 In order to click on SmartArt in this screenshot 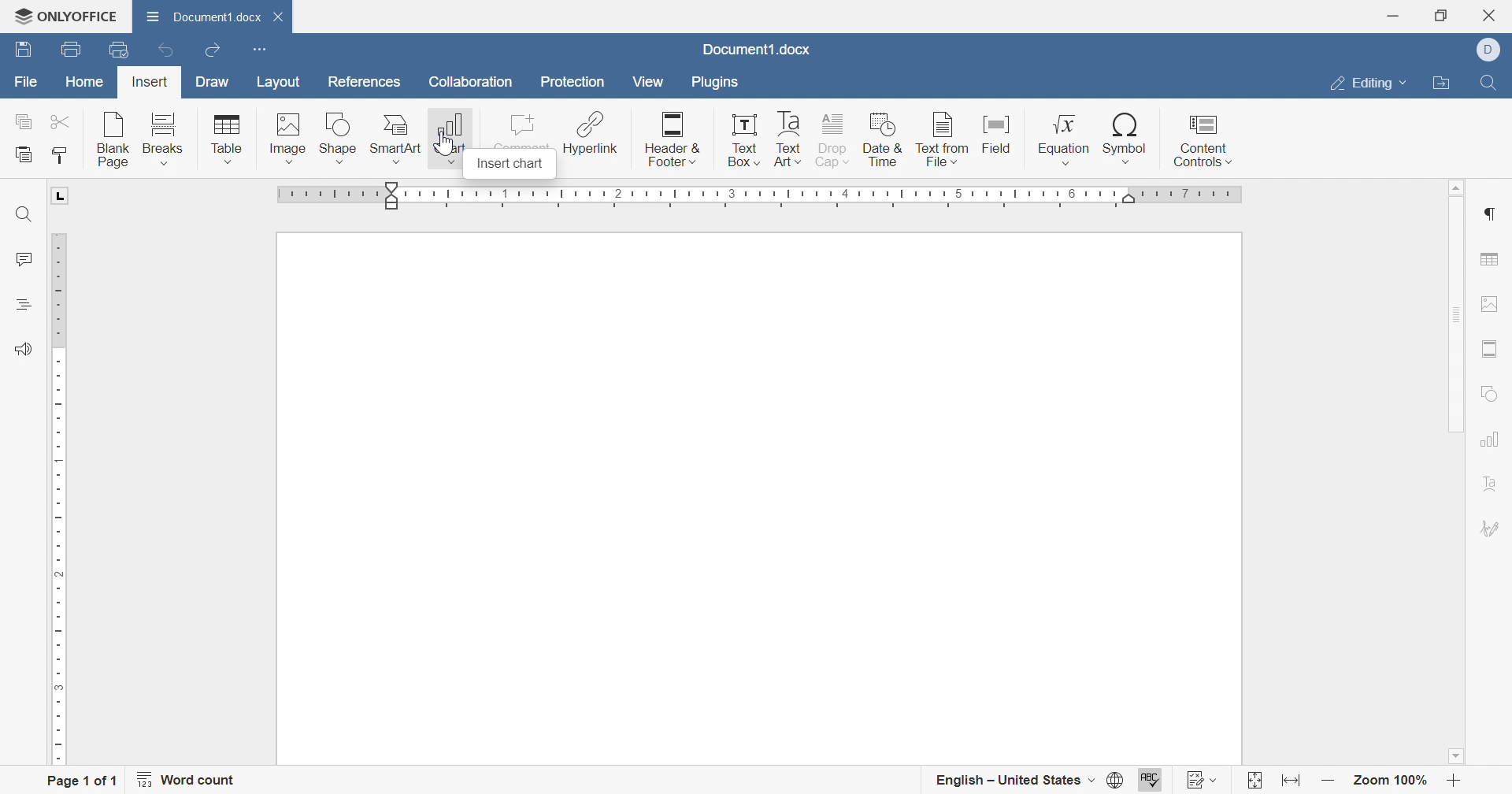, I will do `click(397, 137)`.